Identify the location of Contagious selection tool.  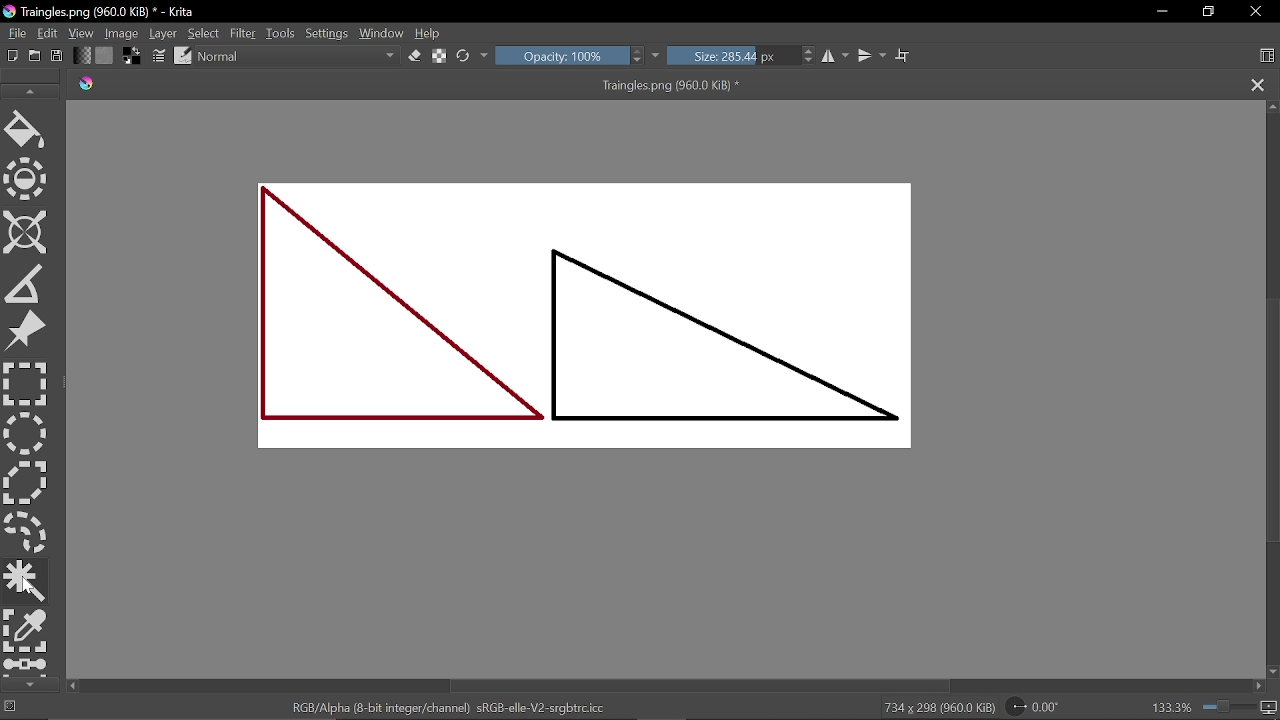
(27, 581).